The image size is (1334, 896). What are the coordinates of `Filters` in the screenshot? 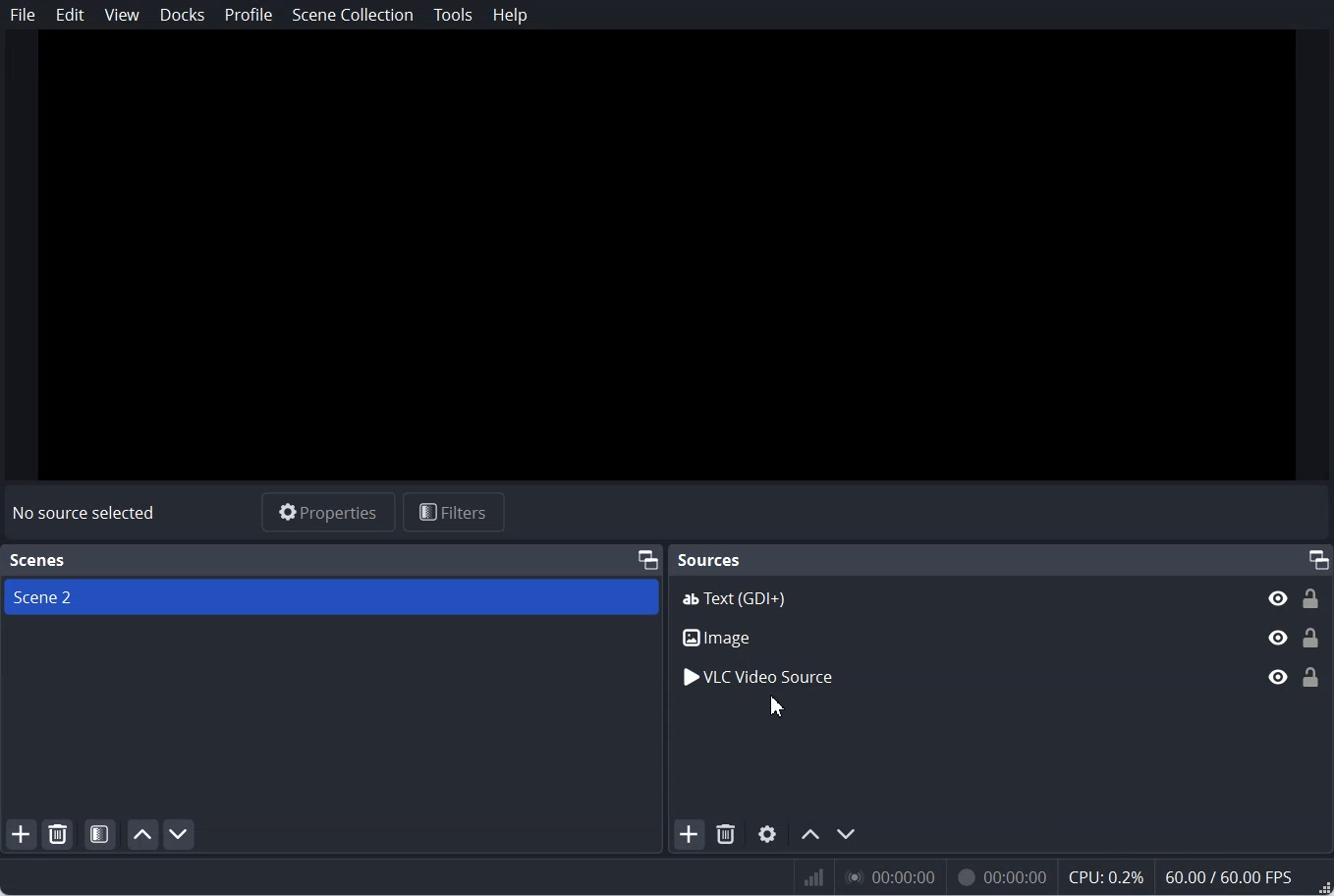 It's located at (455, 512).